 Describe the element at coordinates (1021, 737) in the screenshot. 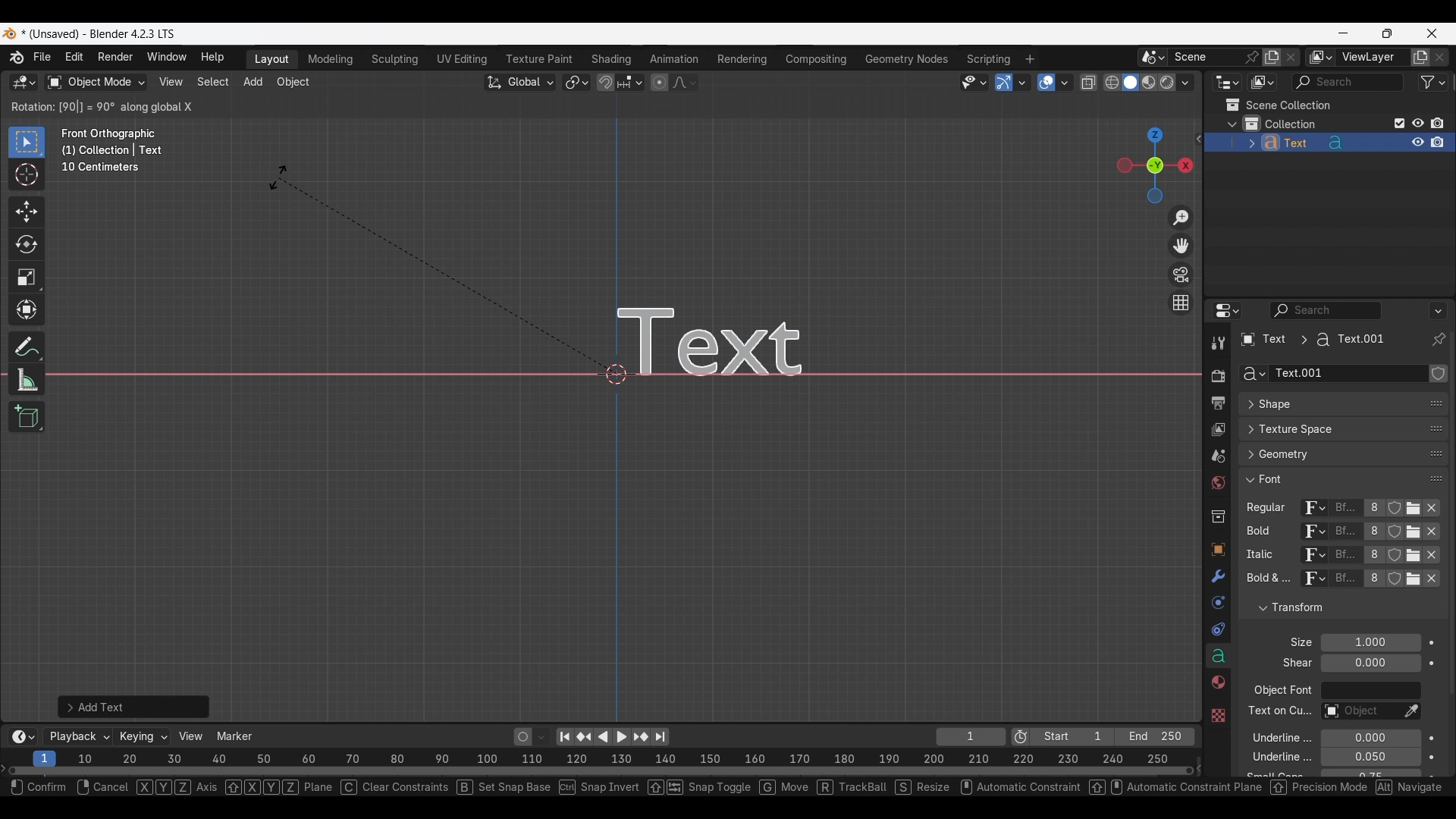

I see `Use preview range` at that location.